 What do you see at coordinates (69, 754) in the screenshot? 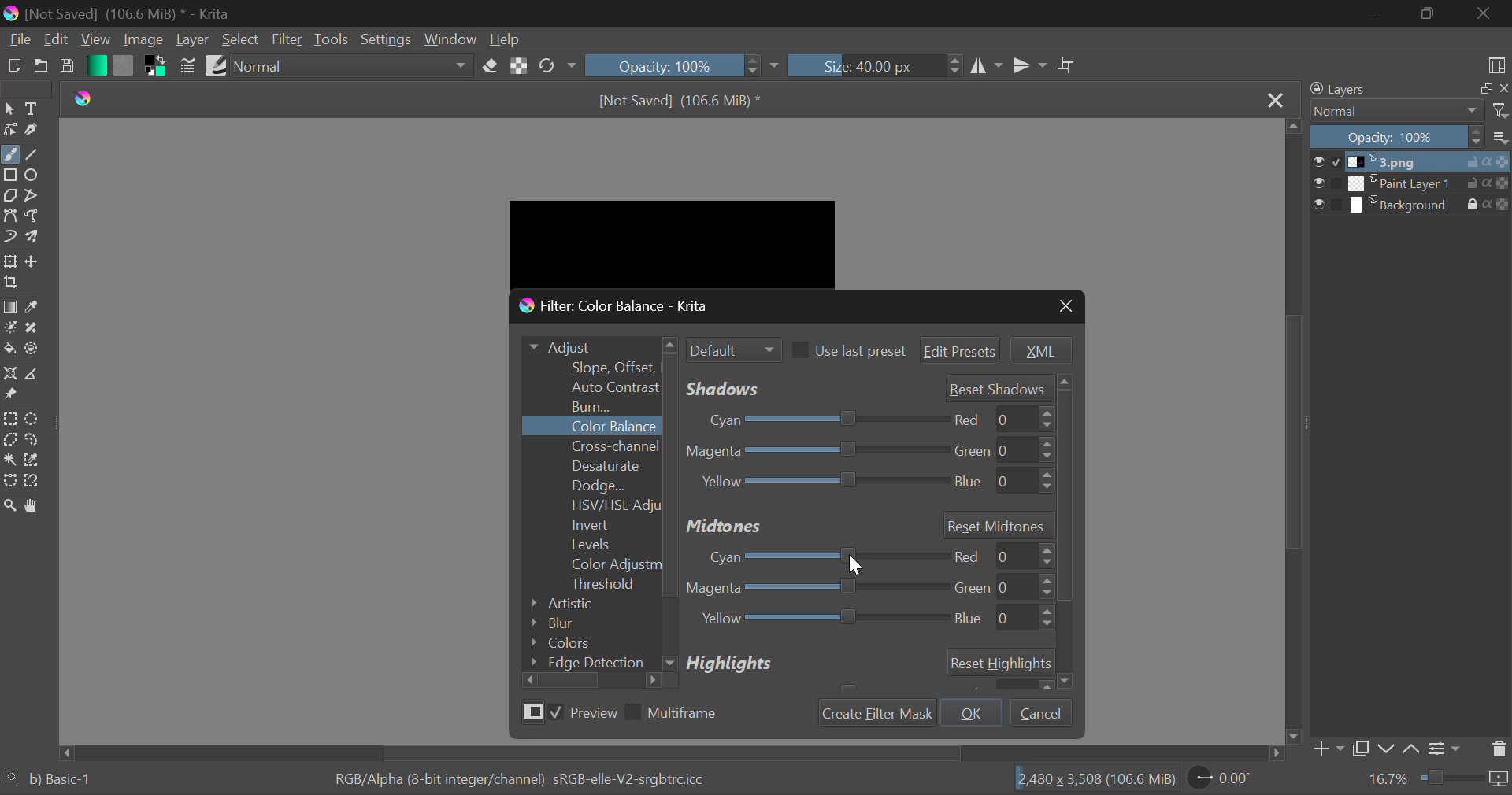
I see `move left` at bounding box center [69, 754].